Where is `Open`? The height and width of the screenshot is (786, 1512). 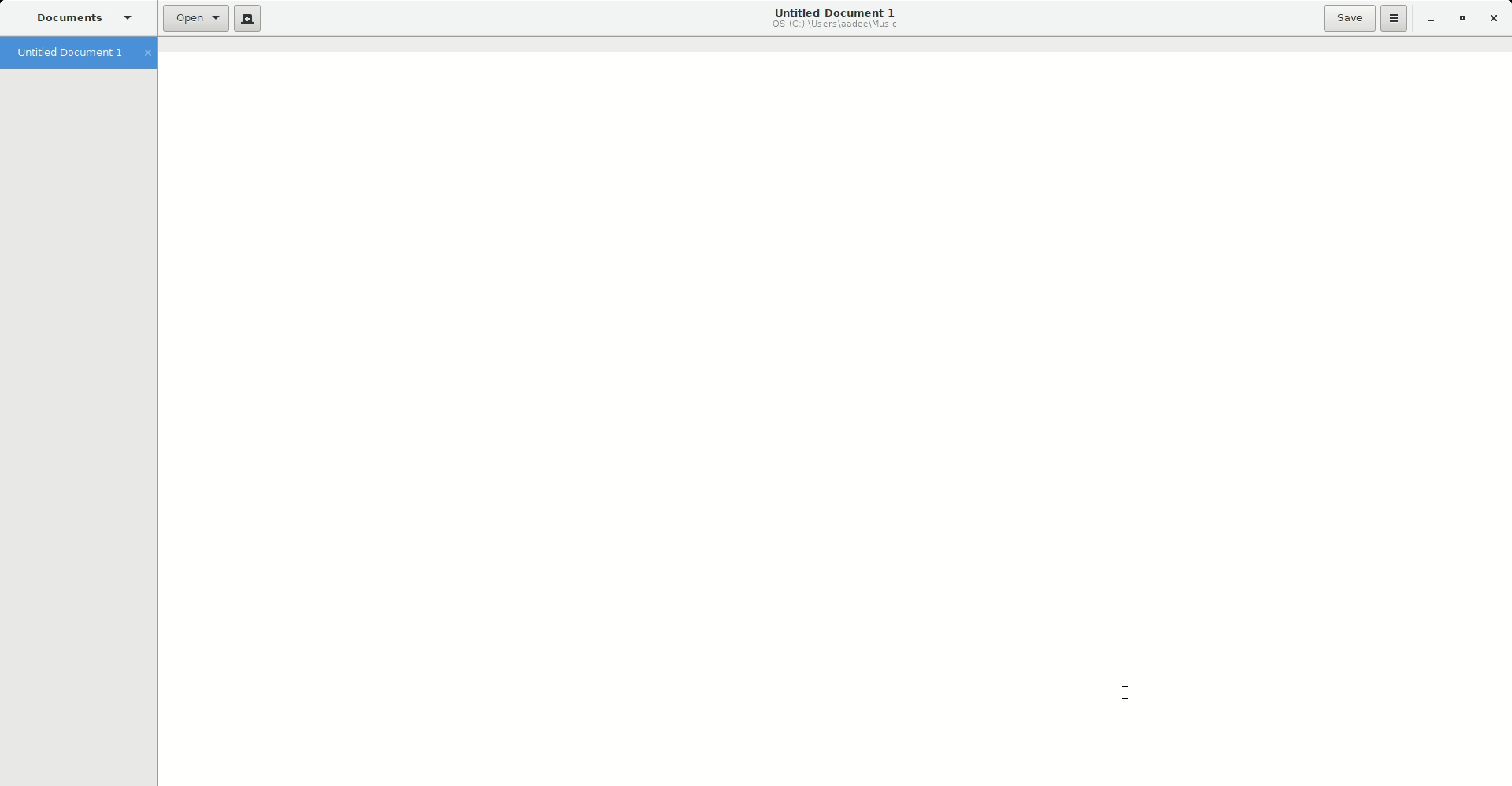 Open is located at coordinates (191, 18).